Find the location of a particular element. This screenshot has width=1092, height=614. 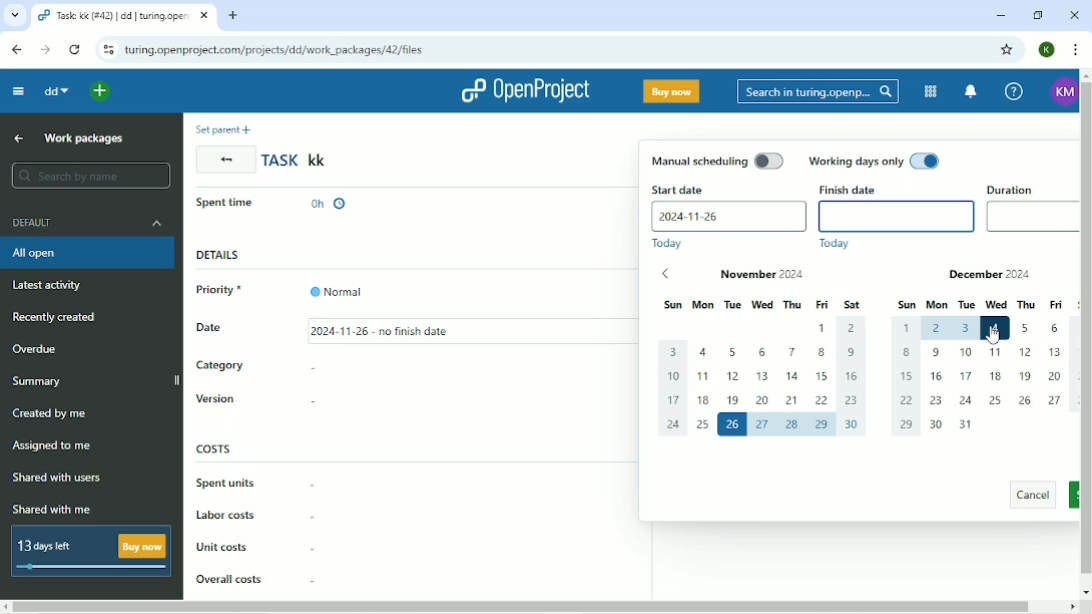

11/26/2024 - no finish date is located at coordinates (388, 329).